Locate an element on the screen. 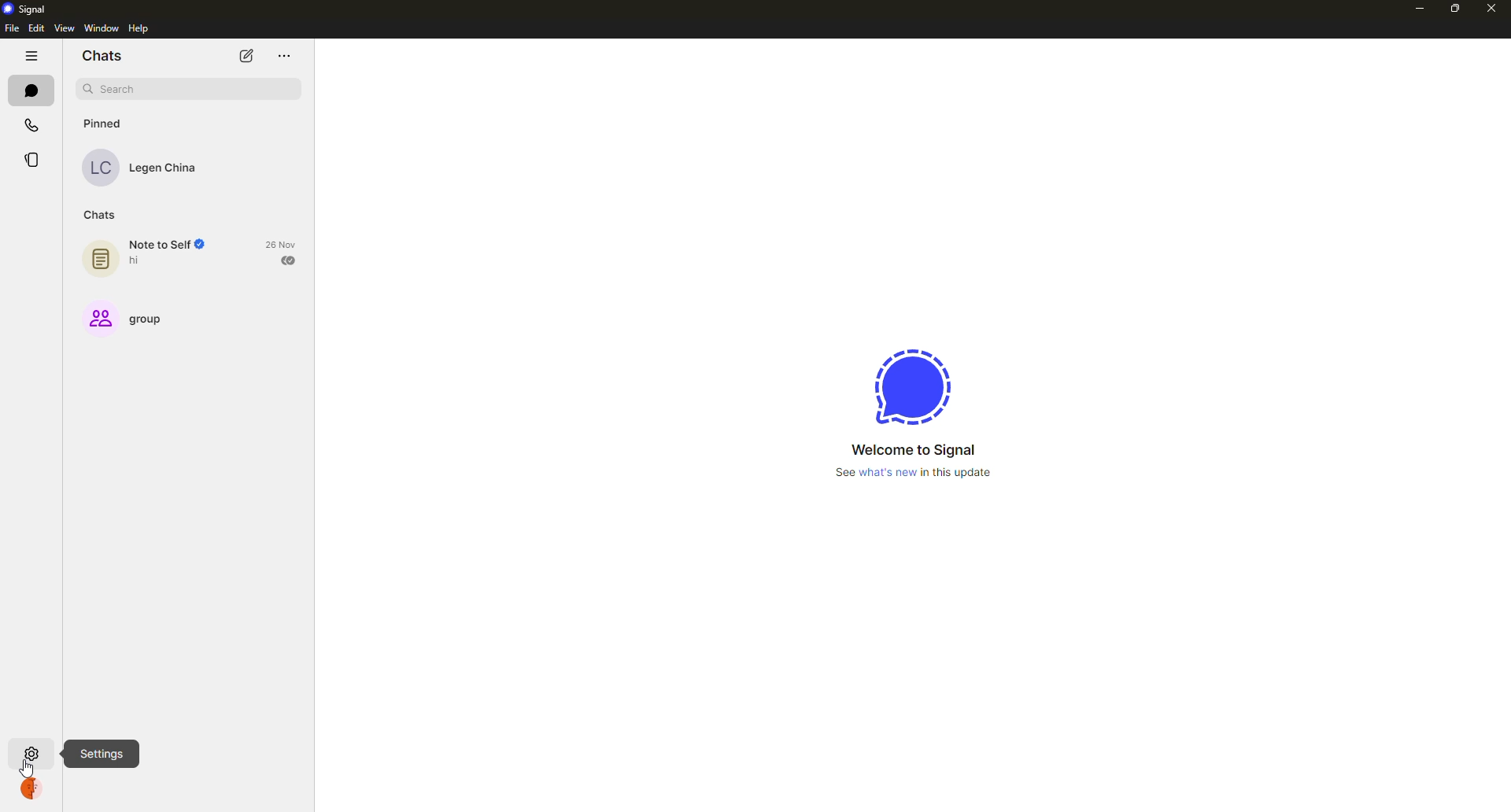 The image size is (1511, 812). stories is located at coordinates (31, 161).